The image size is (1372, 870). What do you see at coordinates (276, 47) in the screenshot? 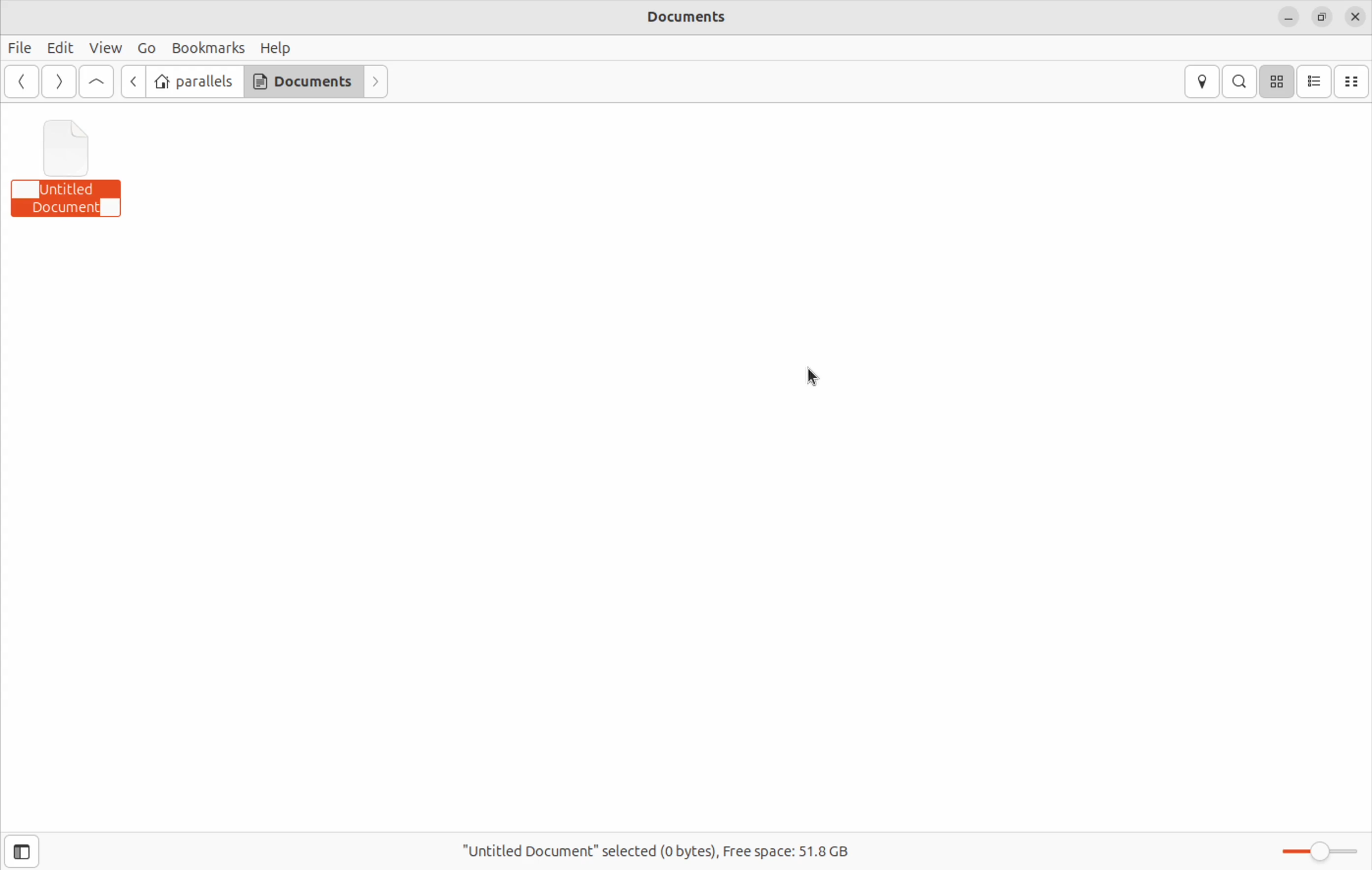
I see `Help` at bounding box center [276, 47].